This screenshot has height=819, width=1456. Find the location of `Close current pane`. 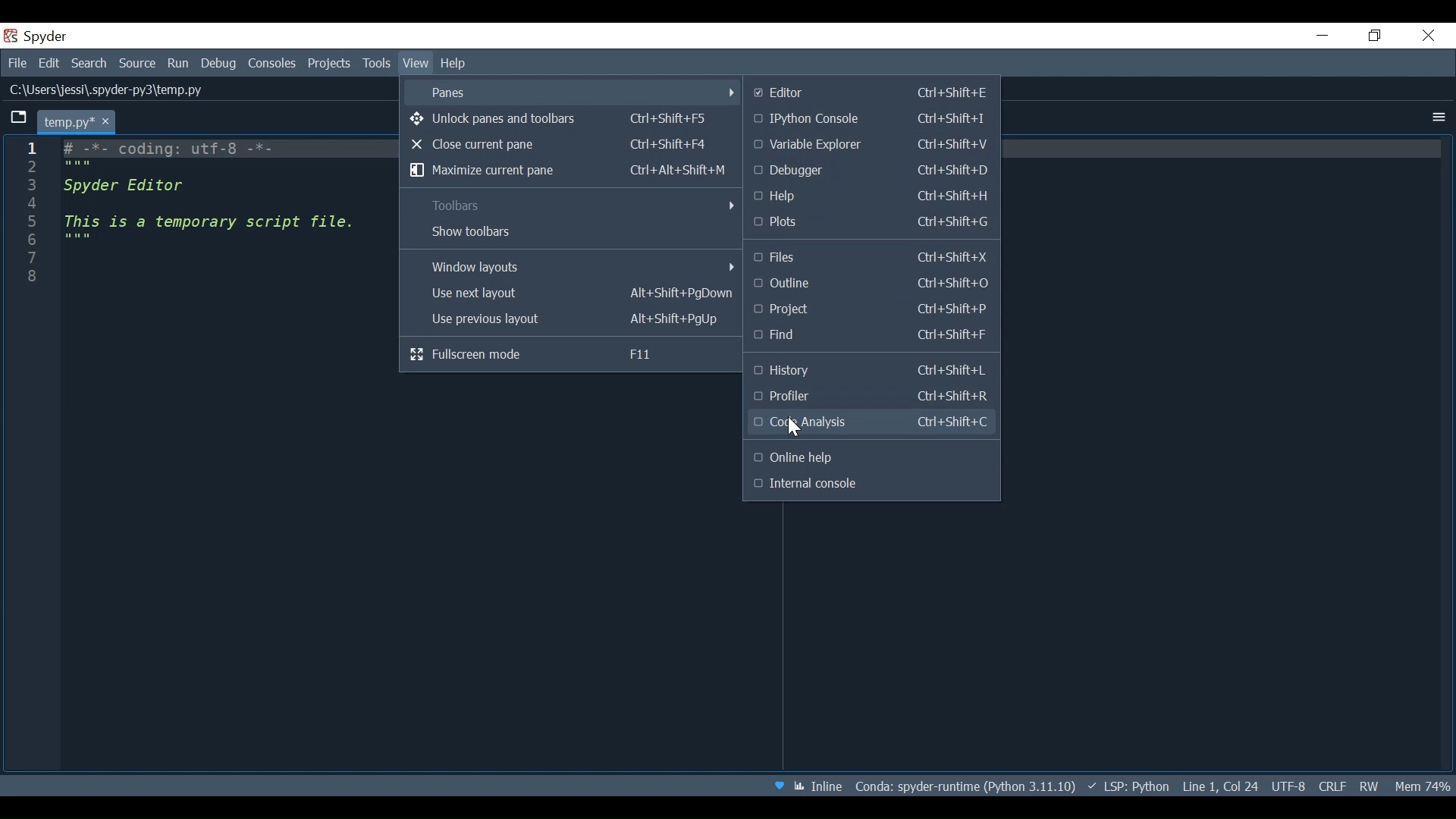

Close current pane is located at coordinates (570, 143).